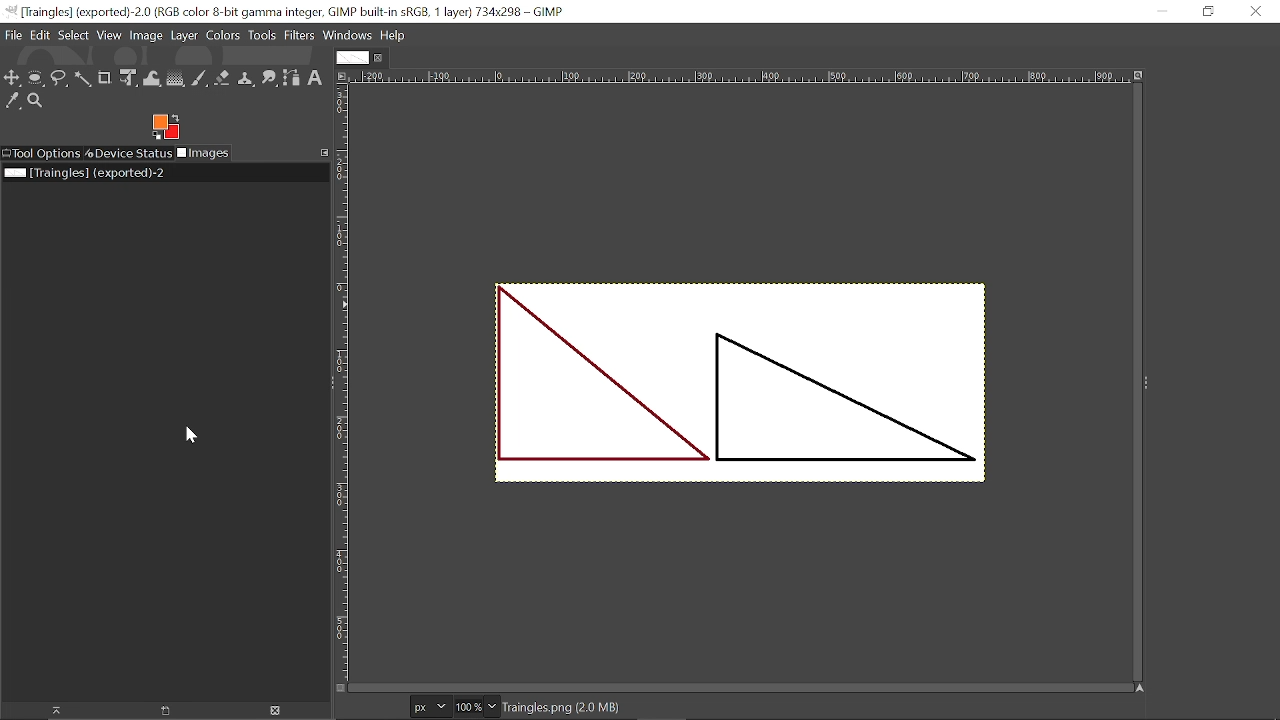 This screenshot has width=1280, height=720. What do you see at coordinates (161, 711) in the screenshot?
I see `Create a new display for this image` at bounding box center [161, 711].